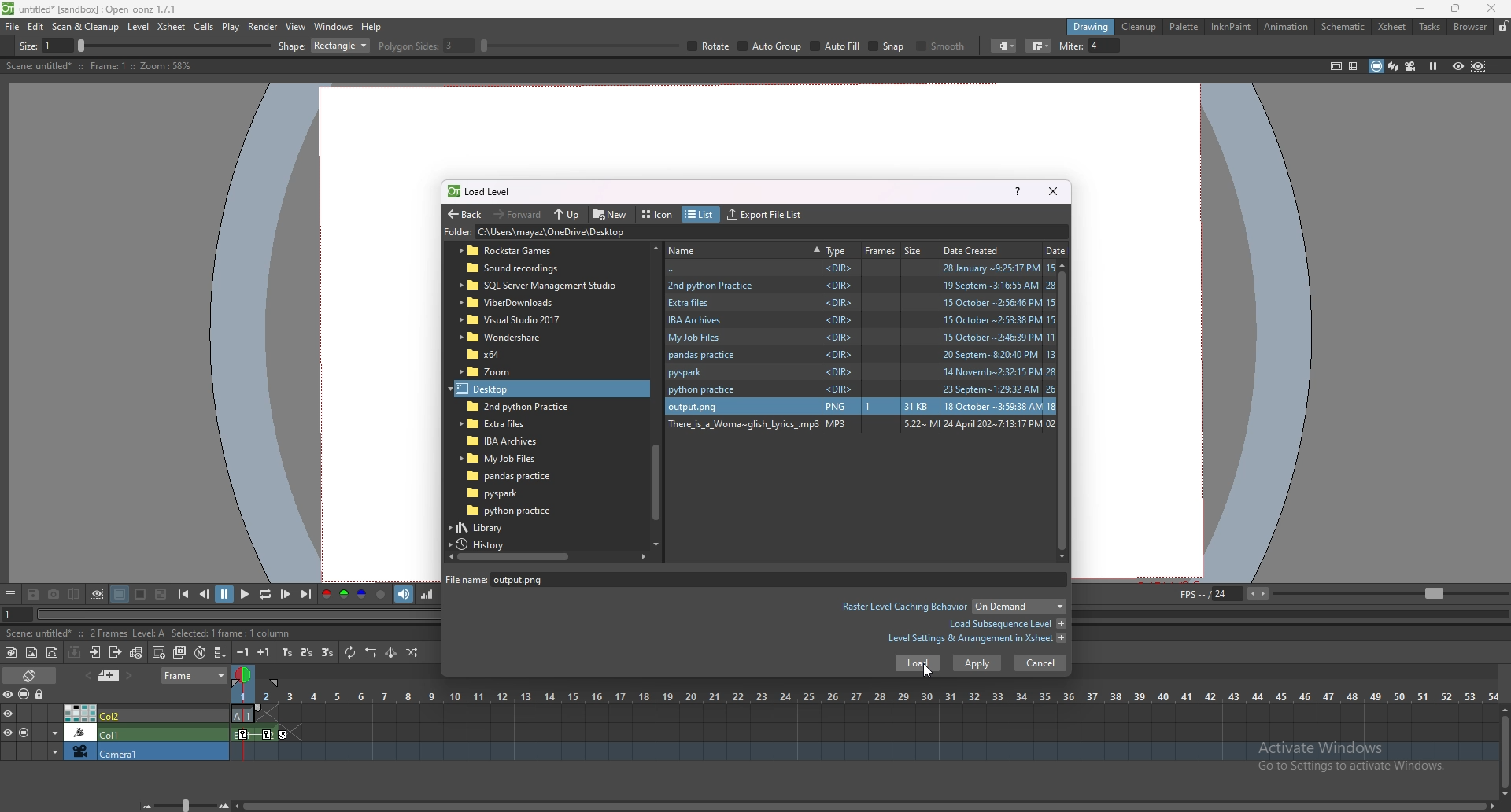  I want to click on scan and cleanup, so click(85, 27).